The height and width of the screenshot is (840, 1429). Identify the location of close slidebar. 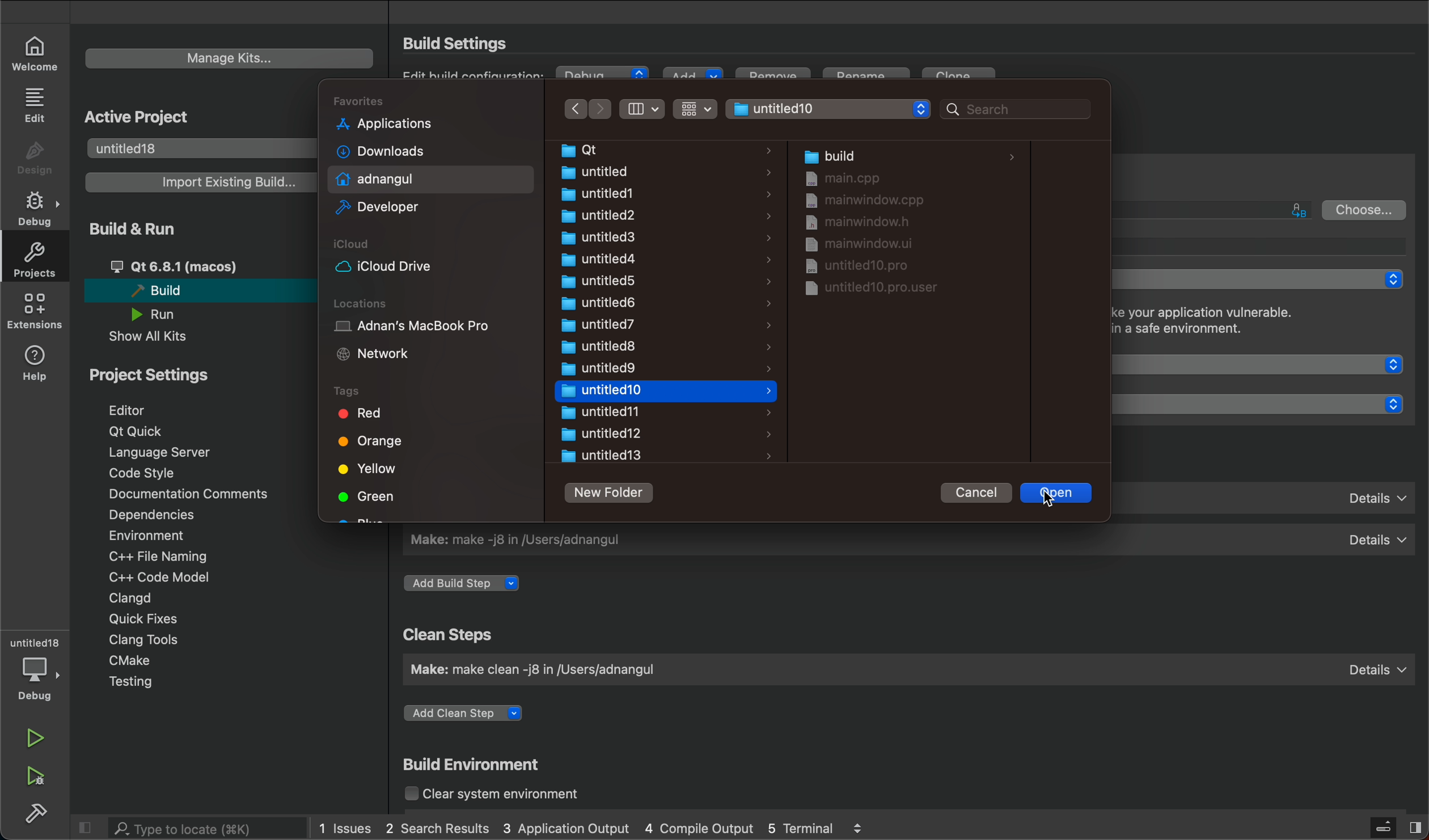
(1395, 826).